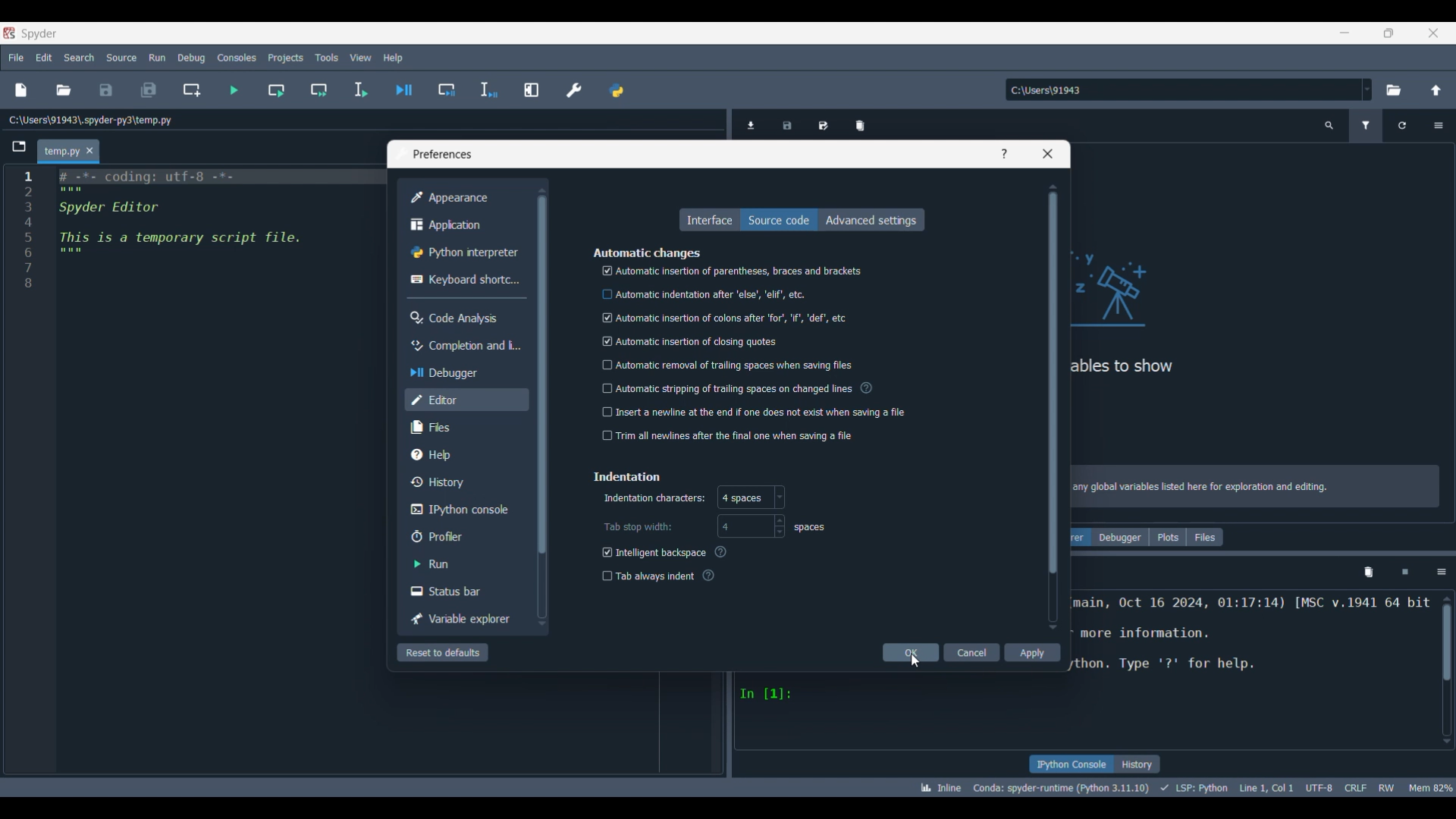 This screenshot has height=819, width=1456. Describe the element at coordinates (467, 428) in the screenshot. I see `Files` at that location.